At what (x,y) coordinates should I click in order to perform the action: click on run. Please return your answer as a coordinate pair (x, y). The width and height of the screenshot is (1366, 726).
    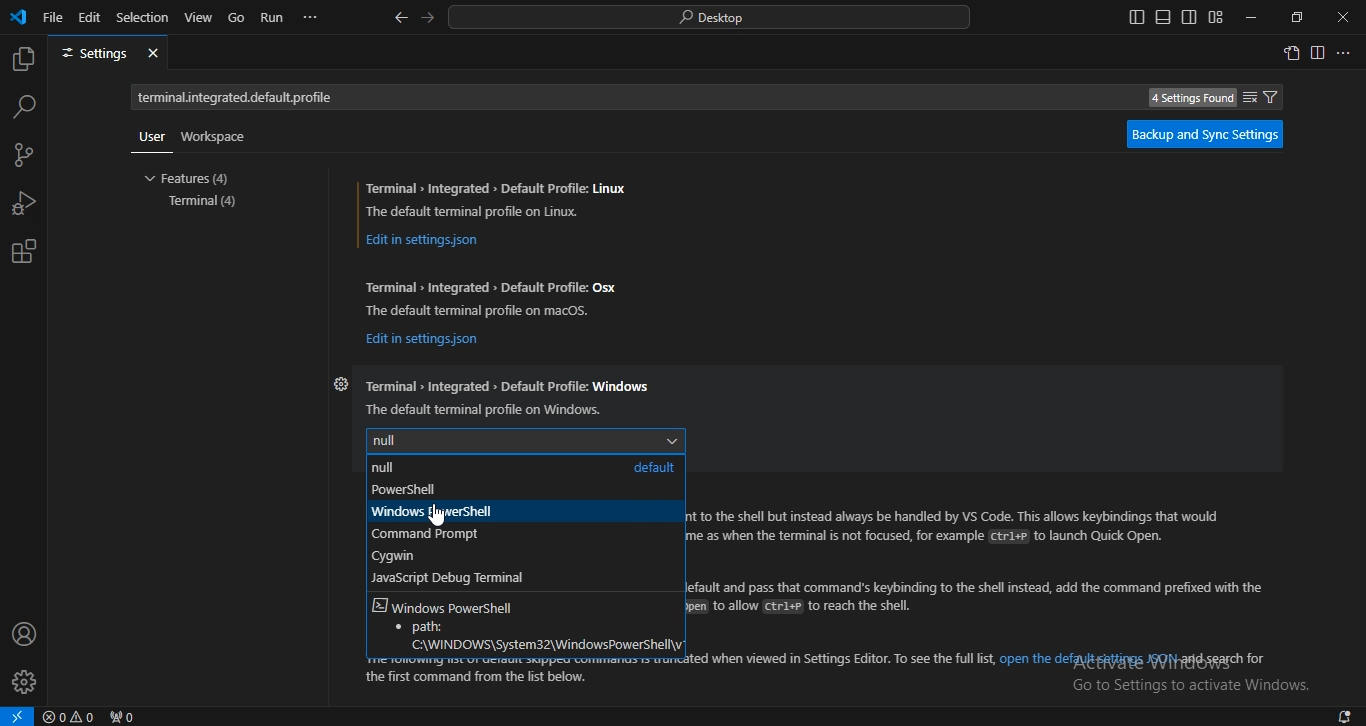
    Looking at the image, I should click on (271, 18).